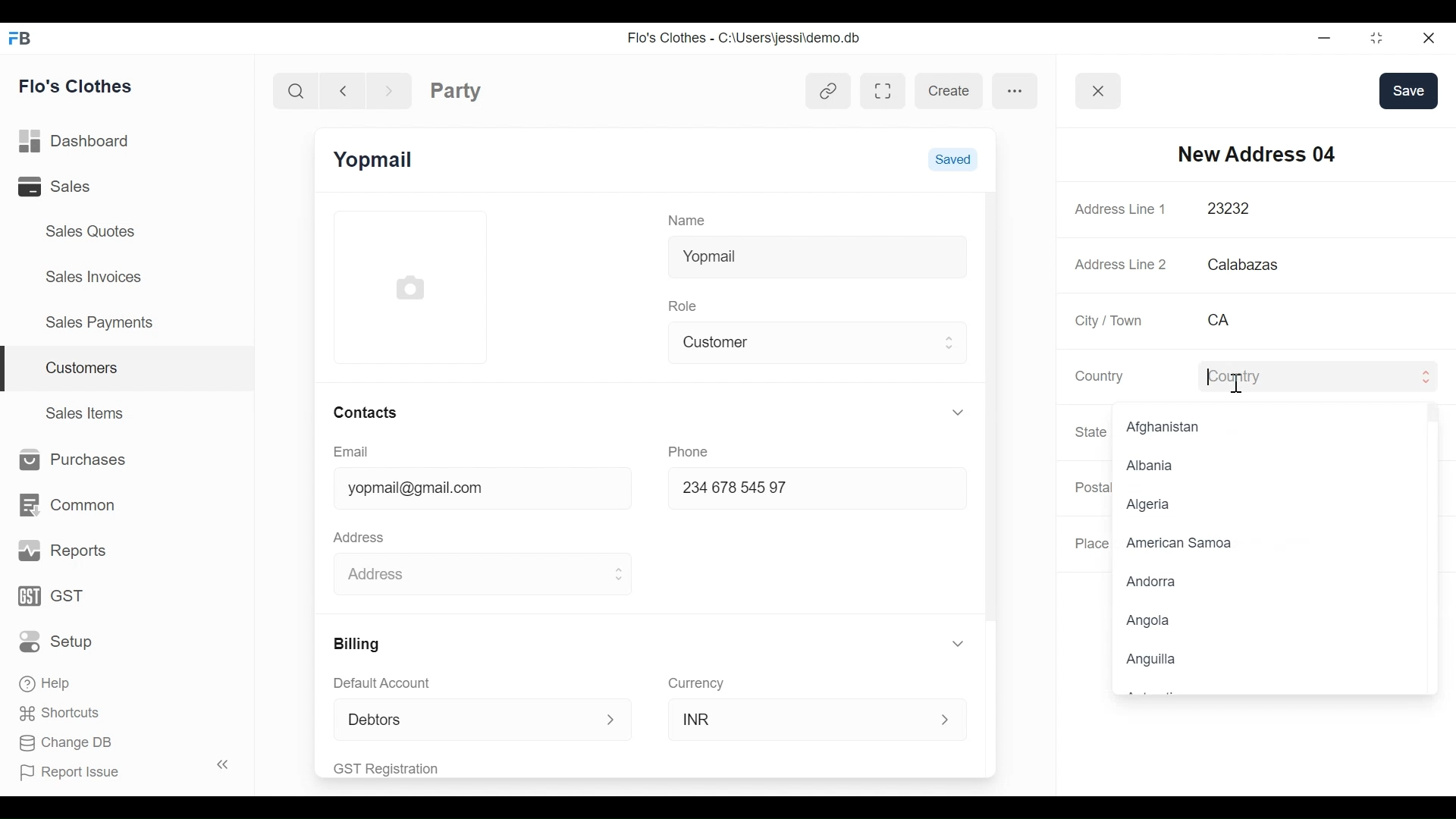 The height and width of the screenshot is (819, 1456). I want to click on Expand, so click(1426, 377).